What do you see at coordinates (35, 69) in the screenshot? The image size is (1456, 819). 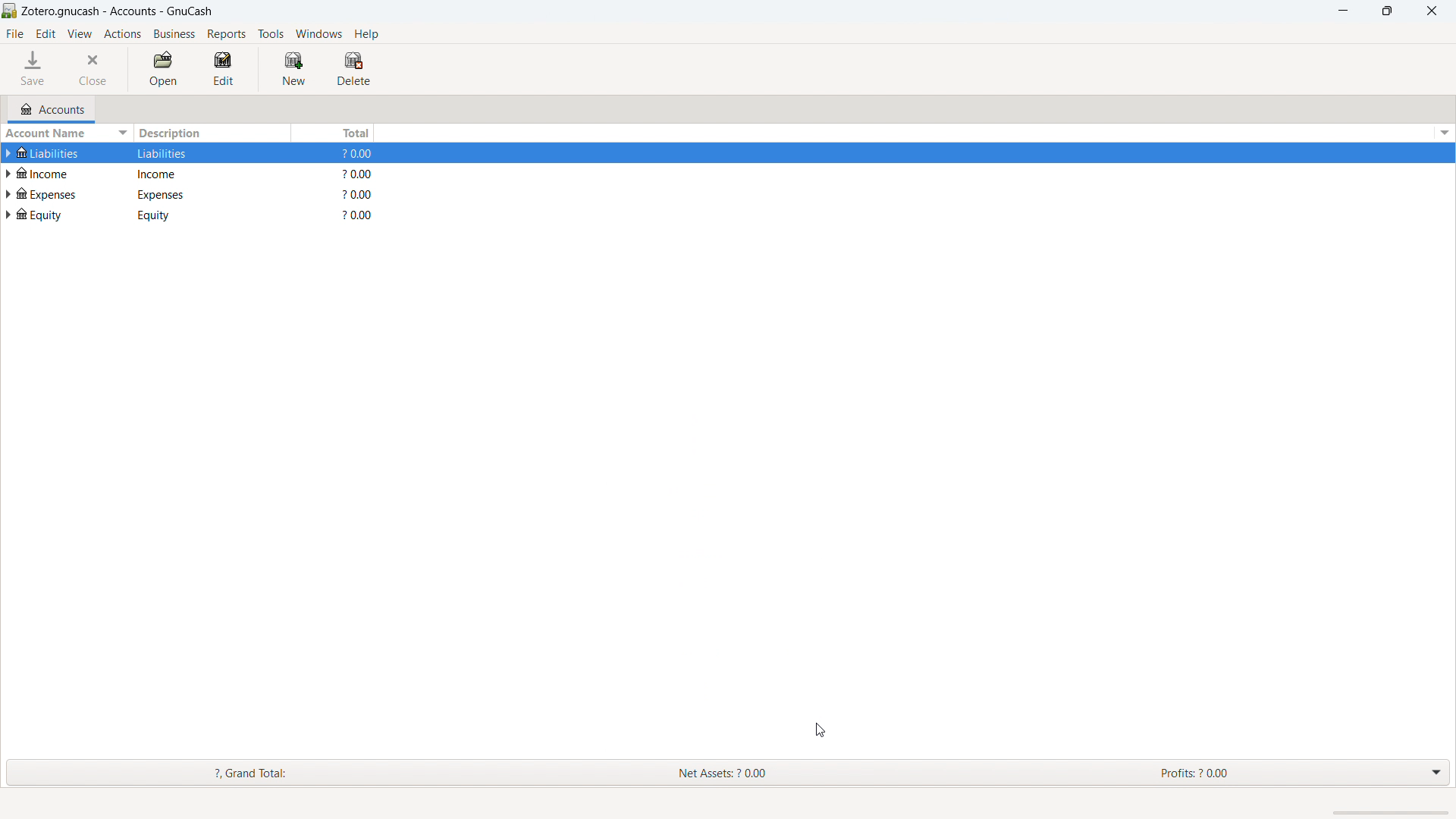 I see `save` at bounding box center [35, 69].